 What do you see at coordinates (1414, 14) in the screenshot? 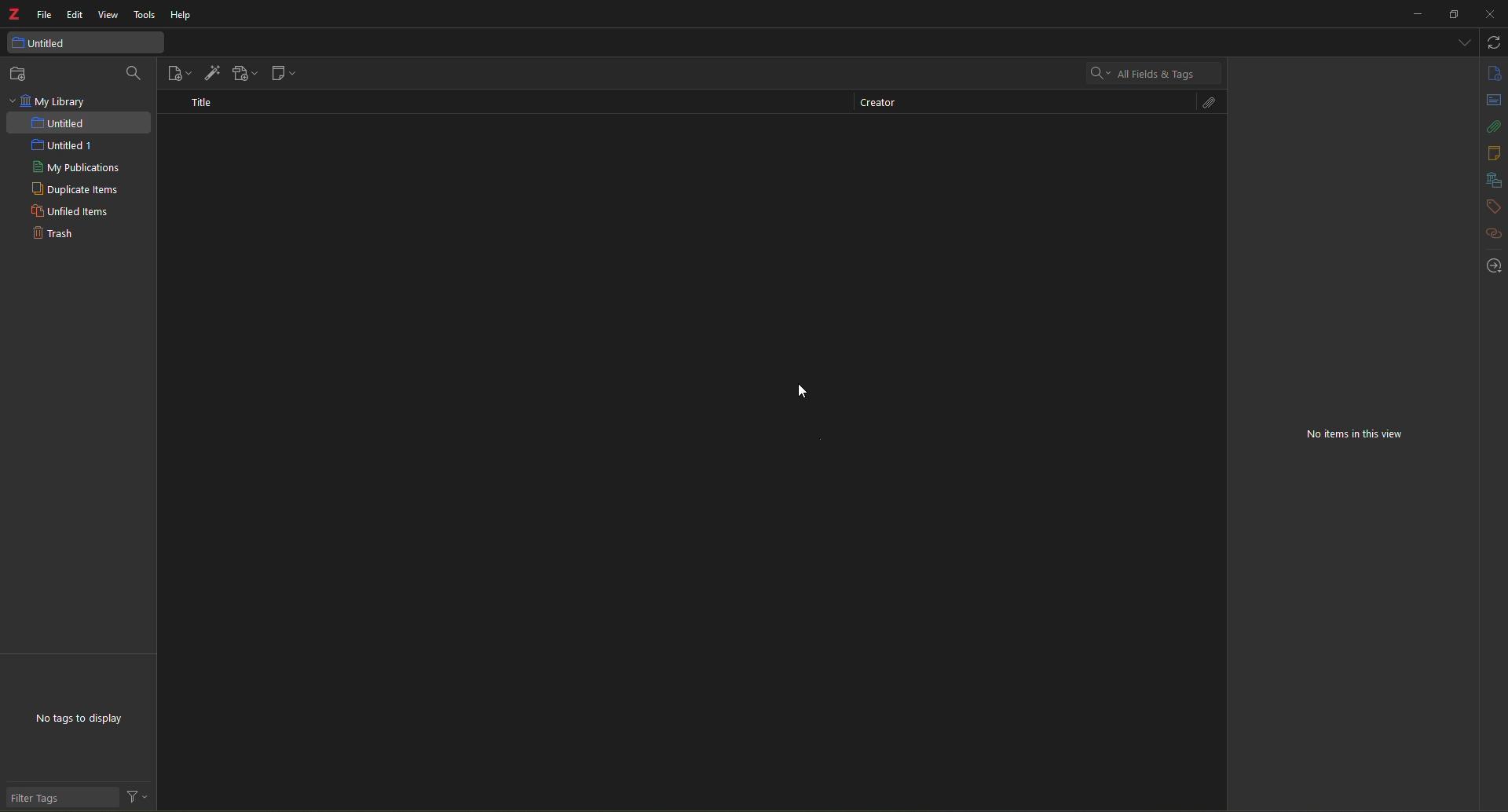
I see `minimize` at bounding box center [1414, 14].